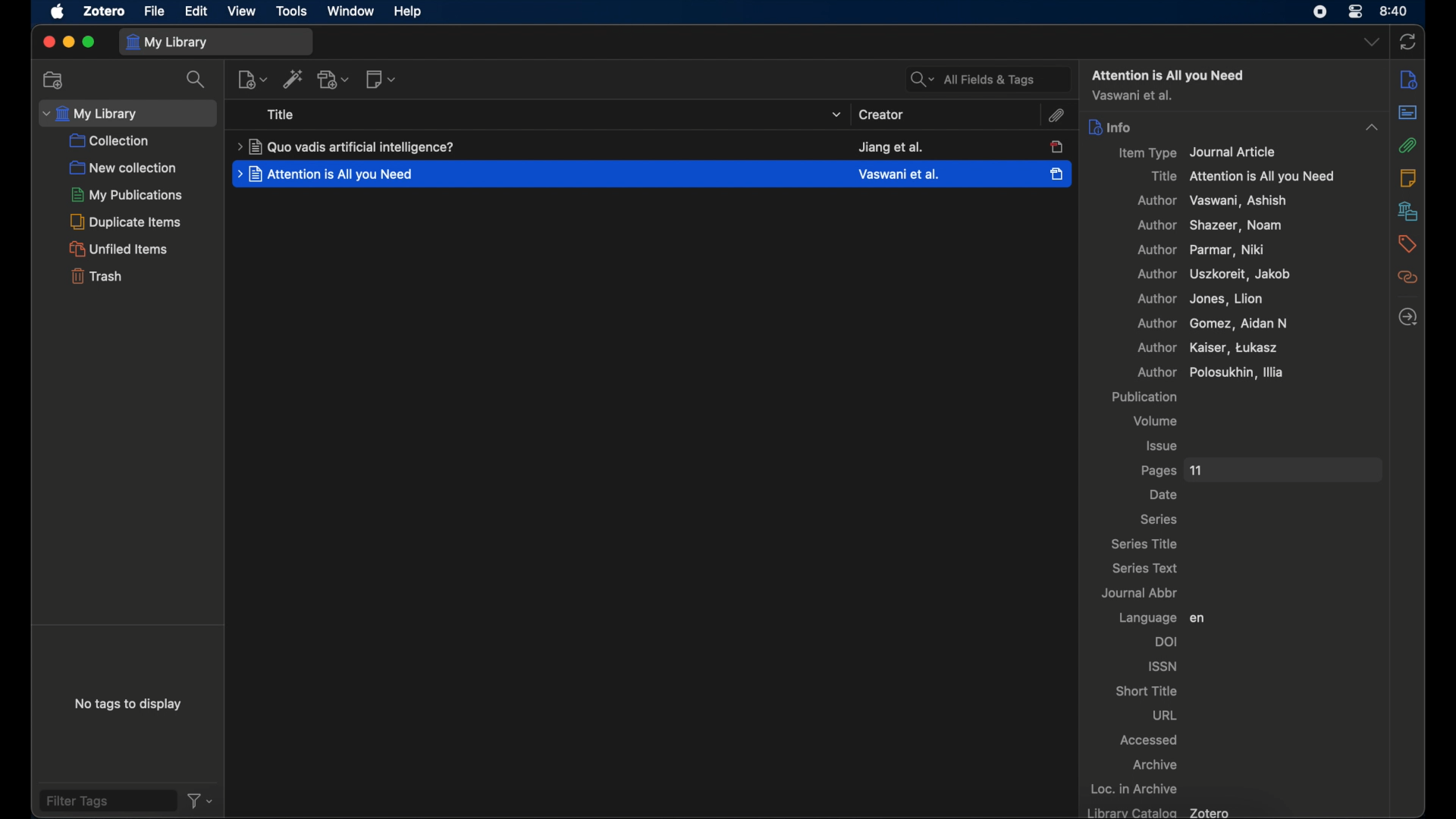  I want to click on language en, so click(1161, 617).